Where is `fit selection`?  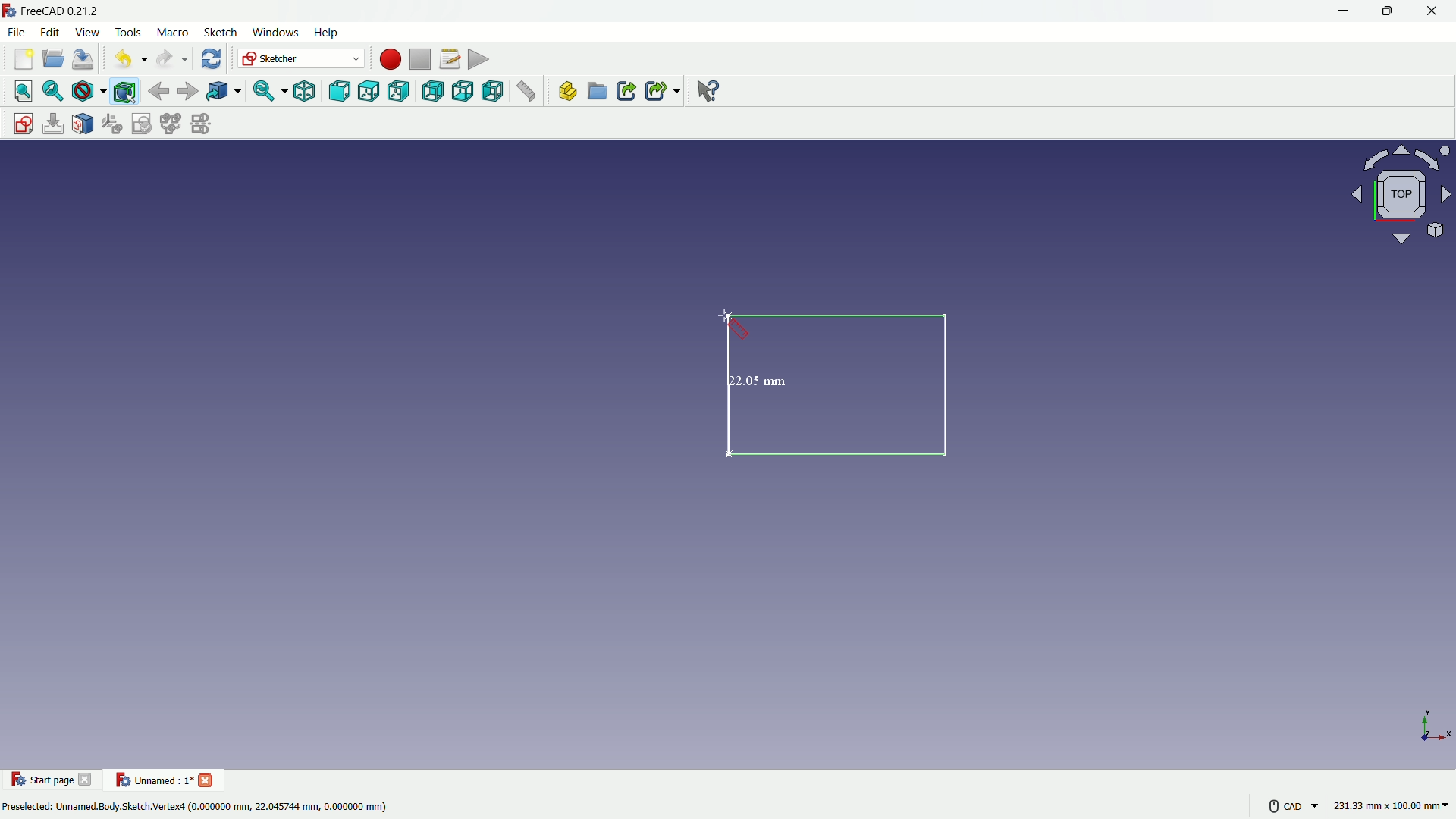
fit selection is located at coordinates (52, 91).